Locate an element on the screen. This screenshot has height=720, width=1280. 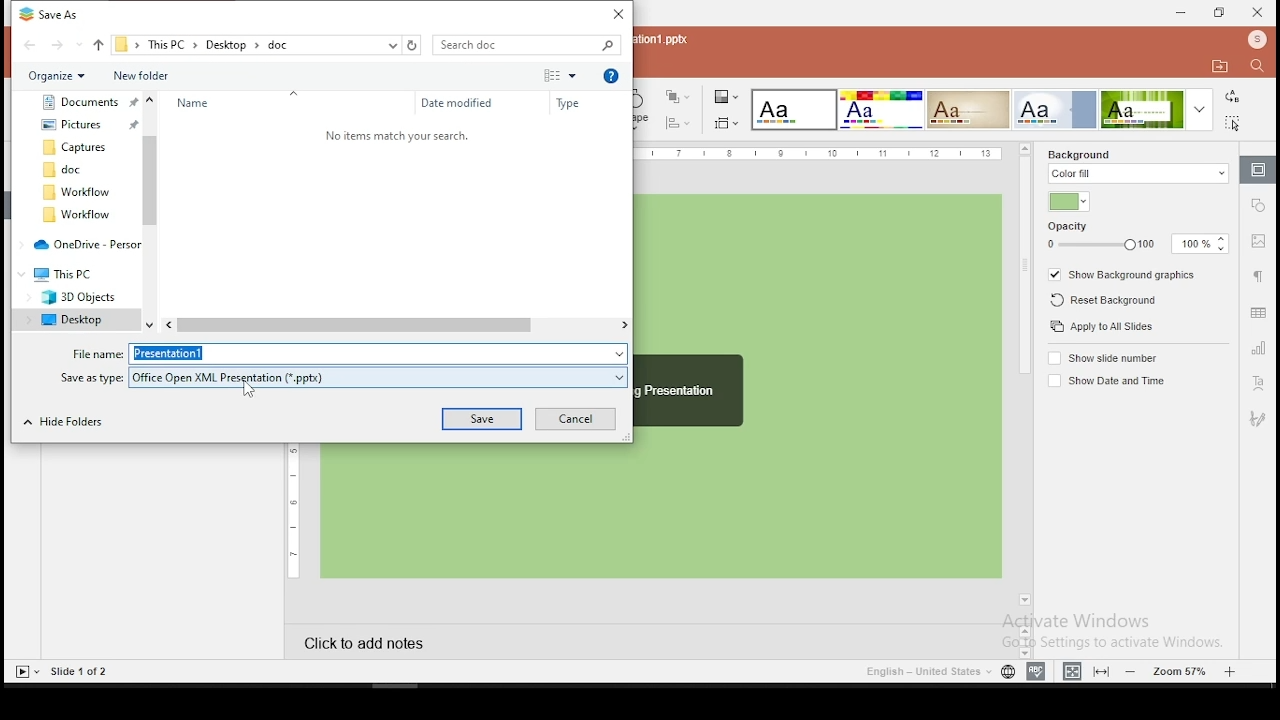
opacity input is located at coordinates (1201, 245).